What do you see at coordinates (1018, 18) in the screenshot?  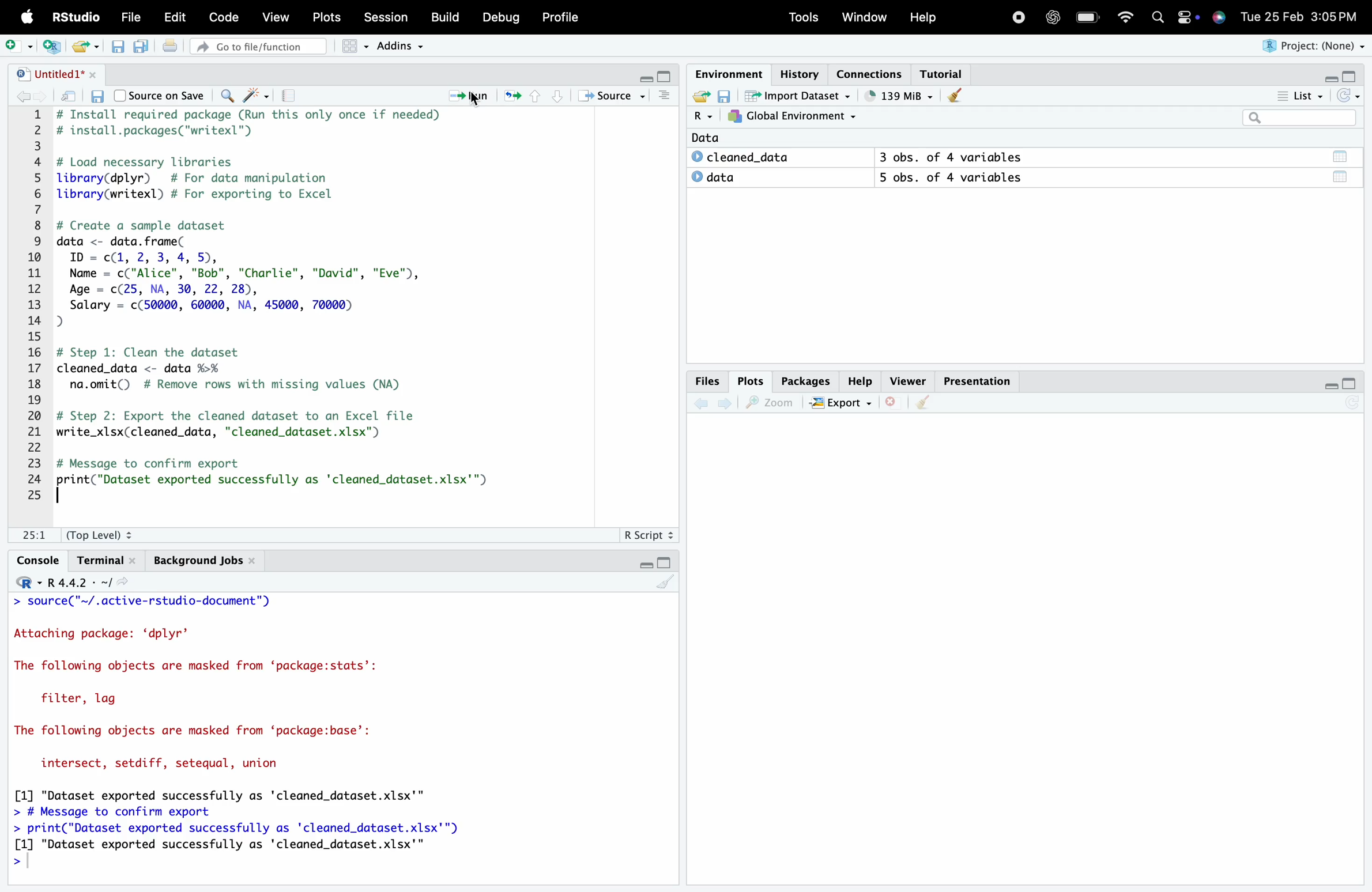 I see `Recording` at bounding box center [1018, 18].